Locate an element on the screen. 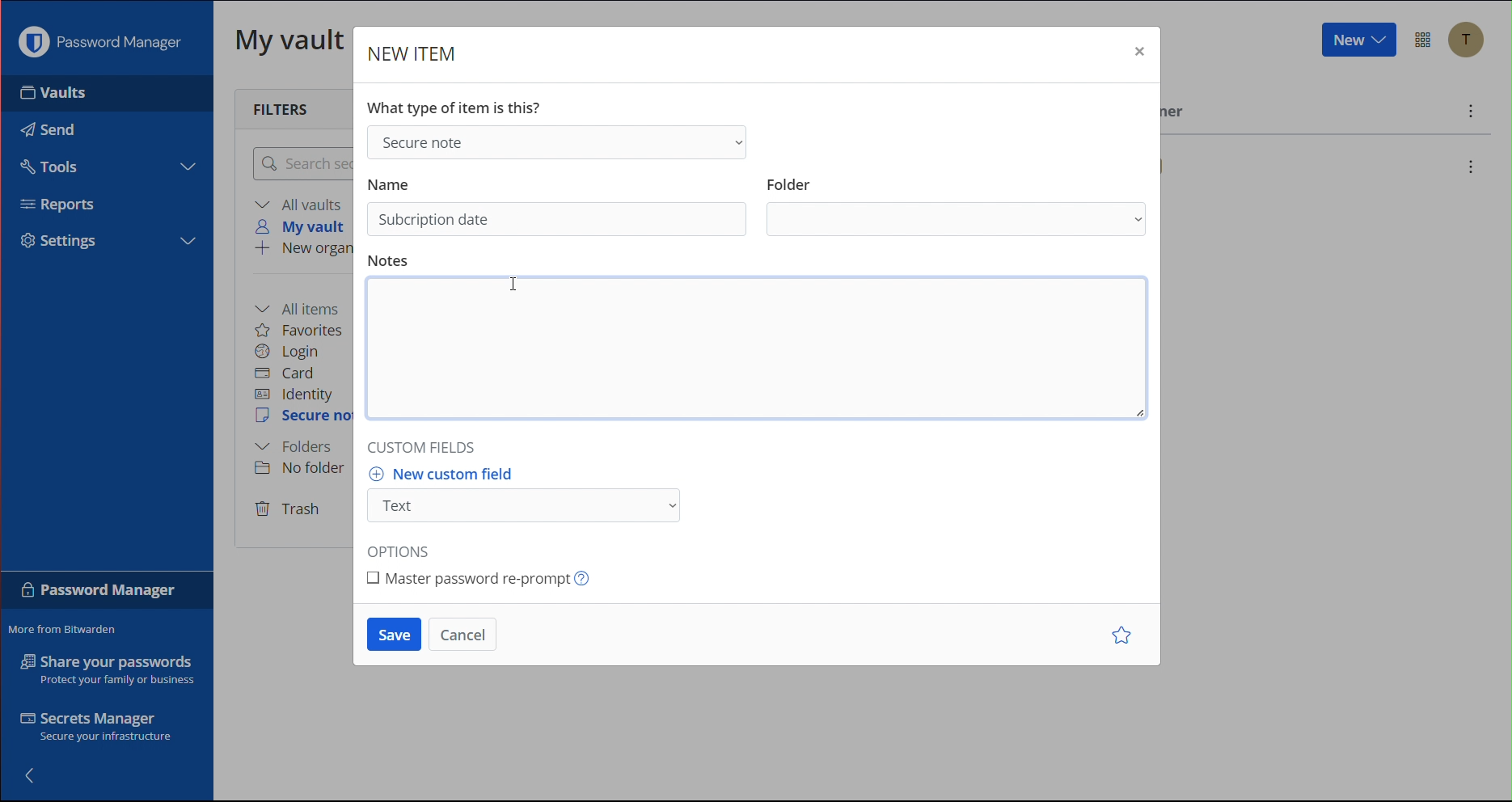 This screenshot has height=802, width=1512. Custom Fields is located at coordinates (426, 443).